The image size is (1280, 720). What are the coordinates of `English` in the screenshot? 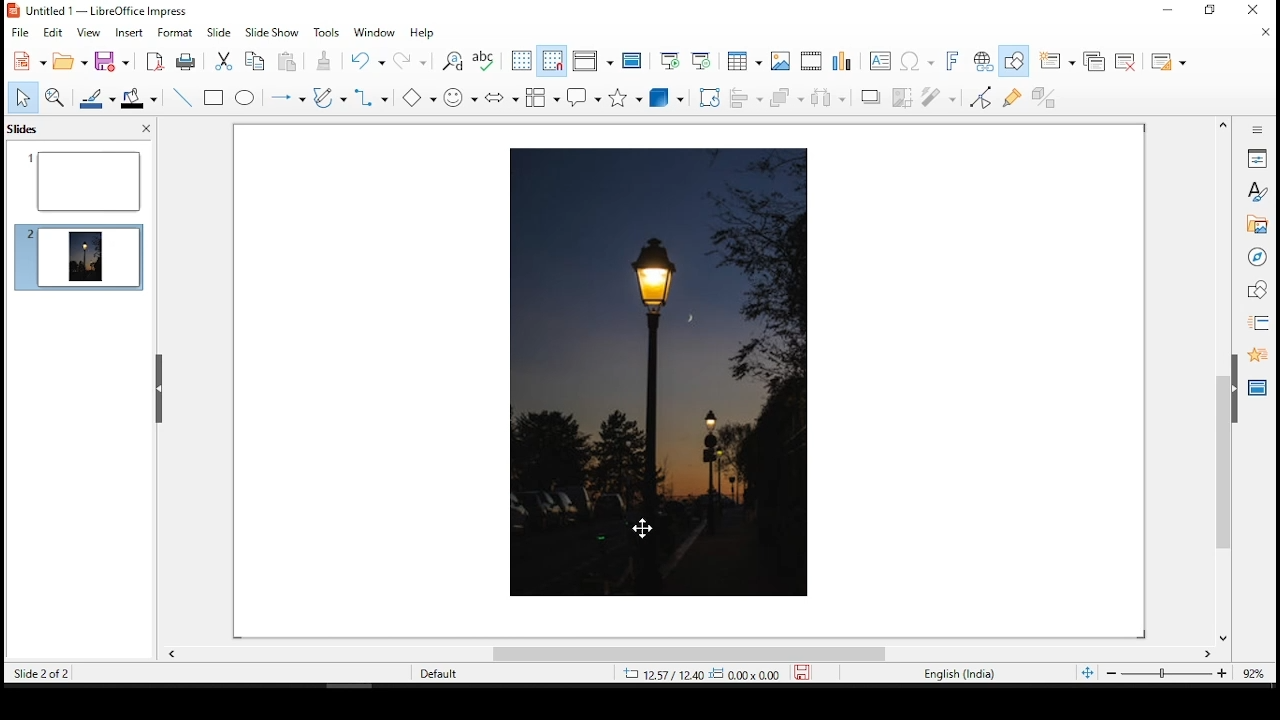 It's located at (958, 676).